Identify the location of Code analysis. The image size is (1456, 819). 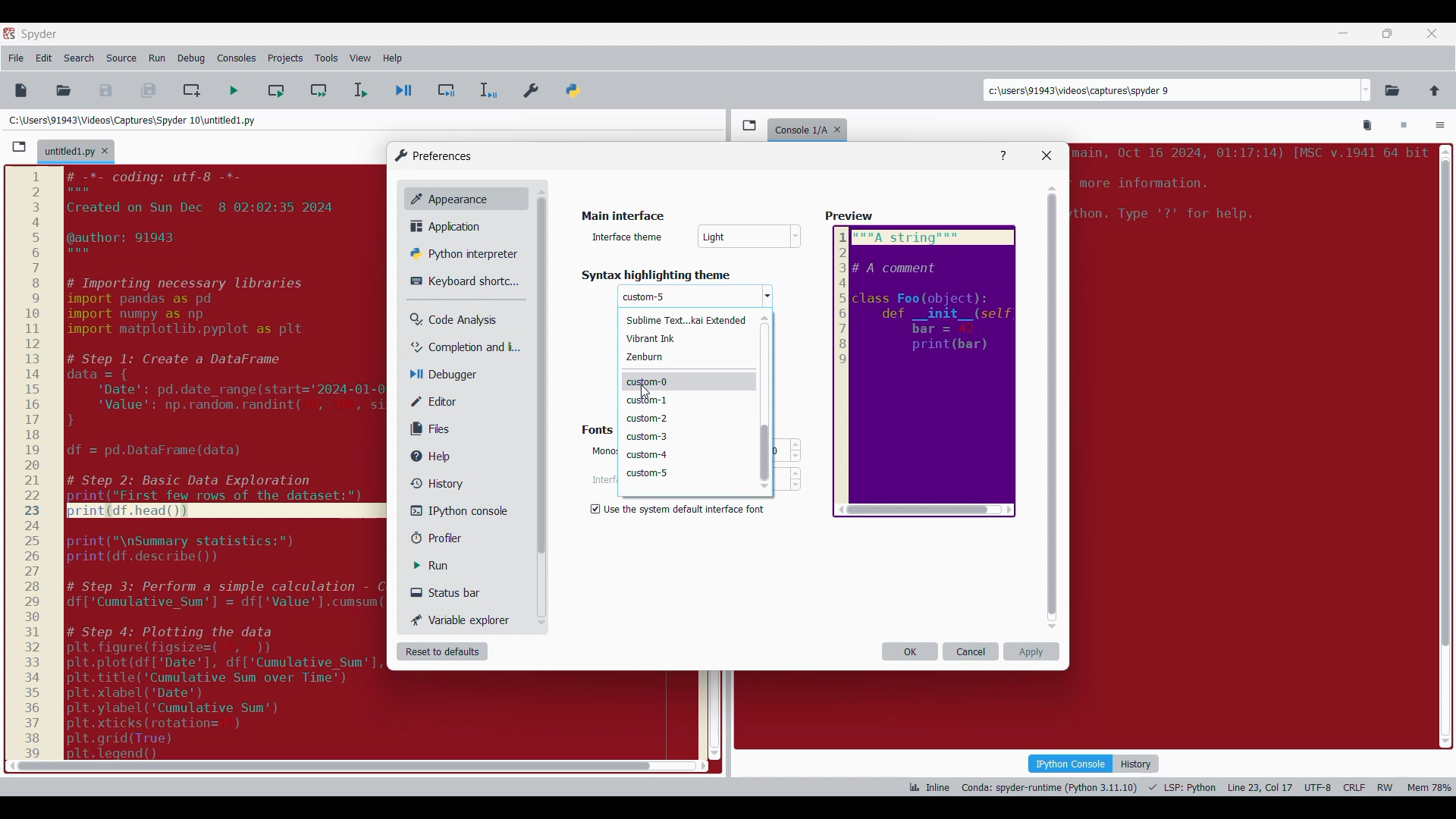
(453, 320).